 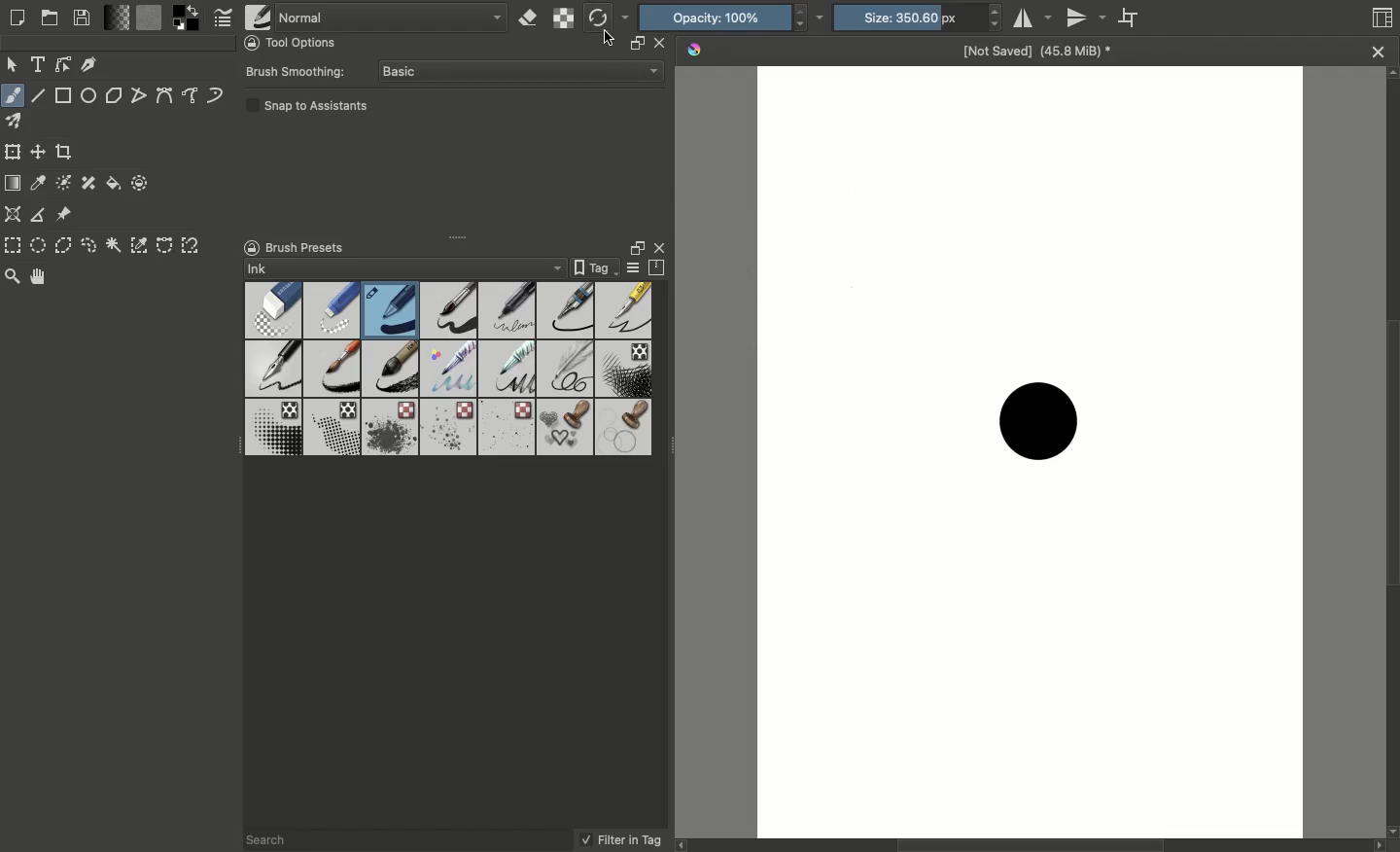 I want to click on Dynamic brush tool, so click(x=216, y=95).